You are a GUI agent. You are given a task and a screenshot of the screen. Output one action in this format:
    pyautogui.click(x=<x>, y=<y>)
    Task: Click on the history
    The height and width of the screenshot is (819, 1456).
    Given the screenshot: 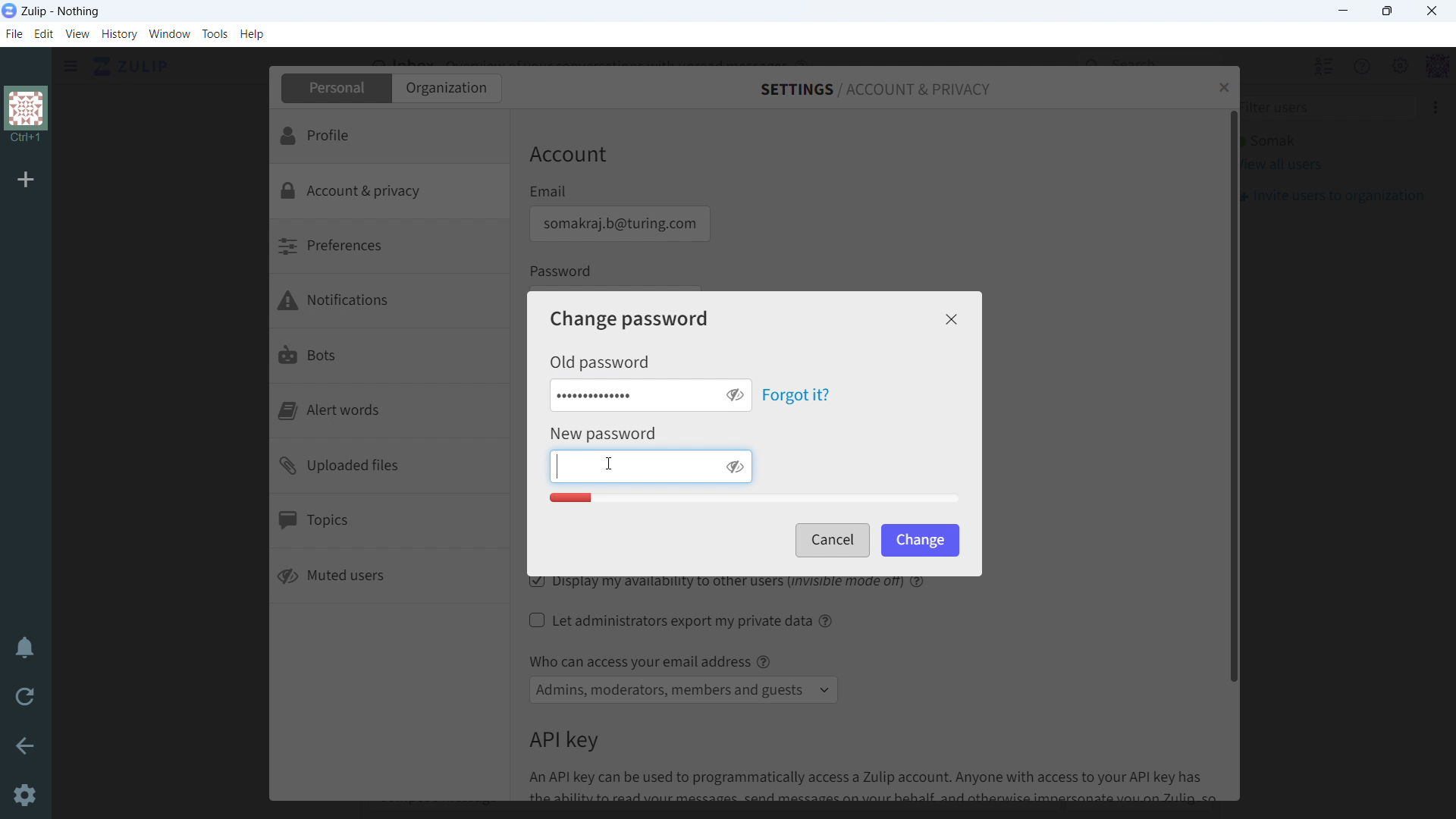 What is the action you would take?
    pyautogui.click(x=120, y=34)
    